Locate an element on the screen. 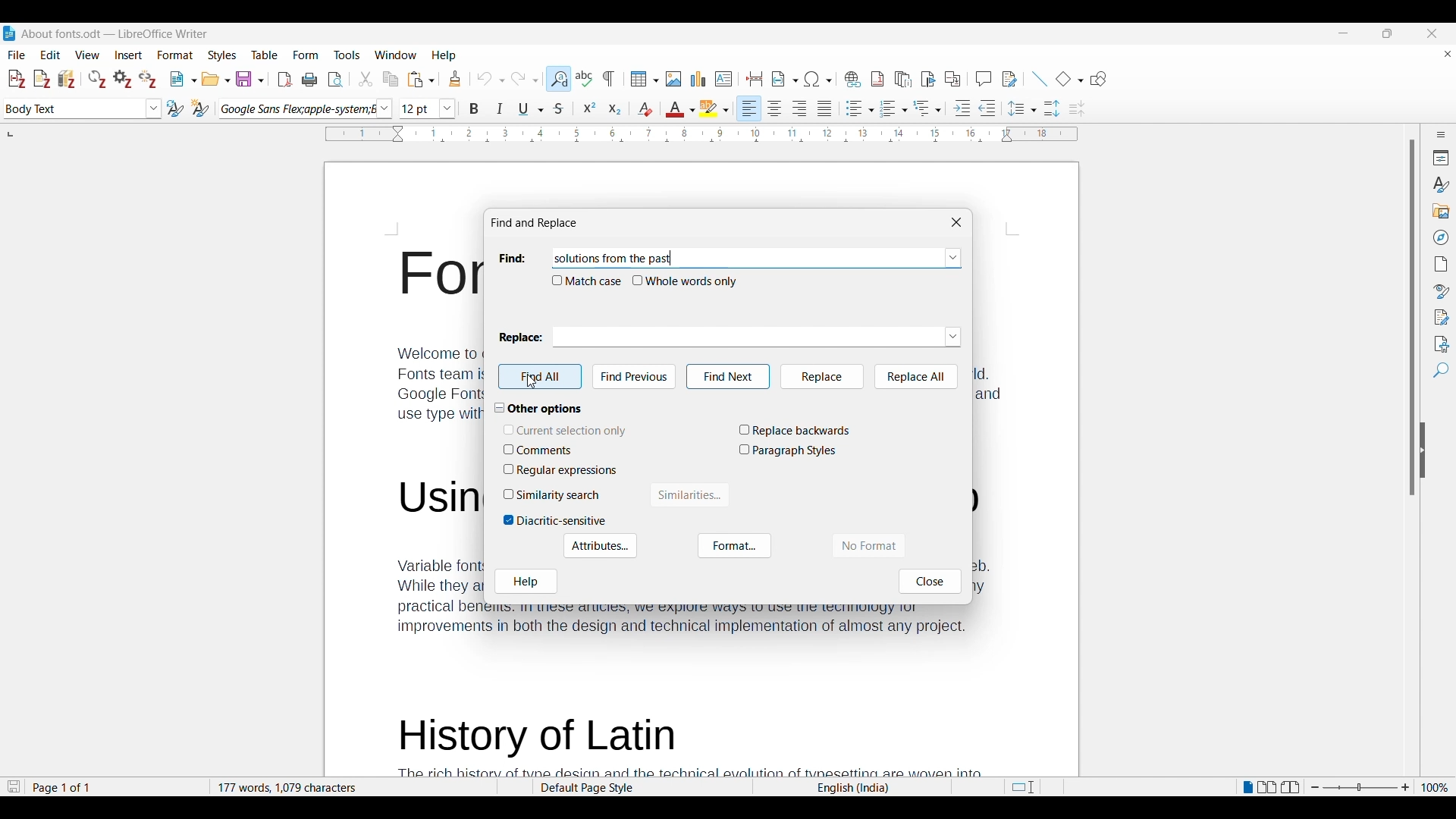 The width and height of the screenshot is (1456, 819). Decrease indent is located at coordinates (987, 108).